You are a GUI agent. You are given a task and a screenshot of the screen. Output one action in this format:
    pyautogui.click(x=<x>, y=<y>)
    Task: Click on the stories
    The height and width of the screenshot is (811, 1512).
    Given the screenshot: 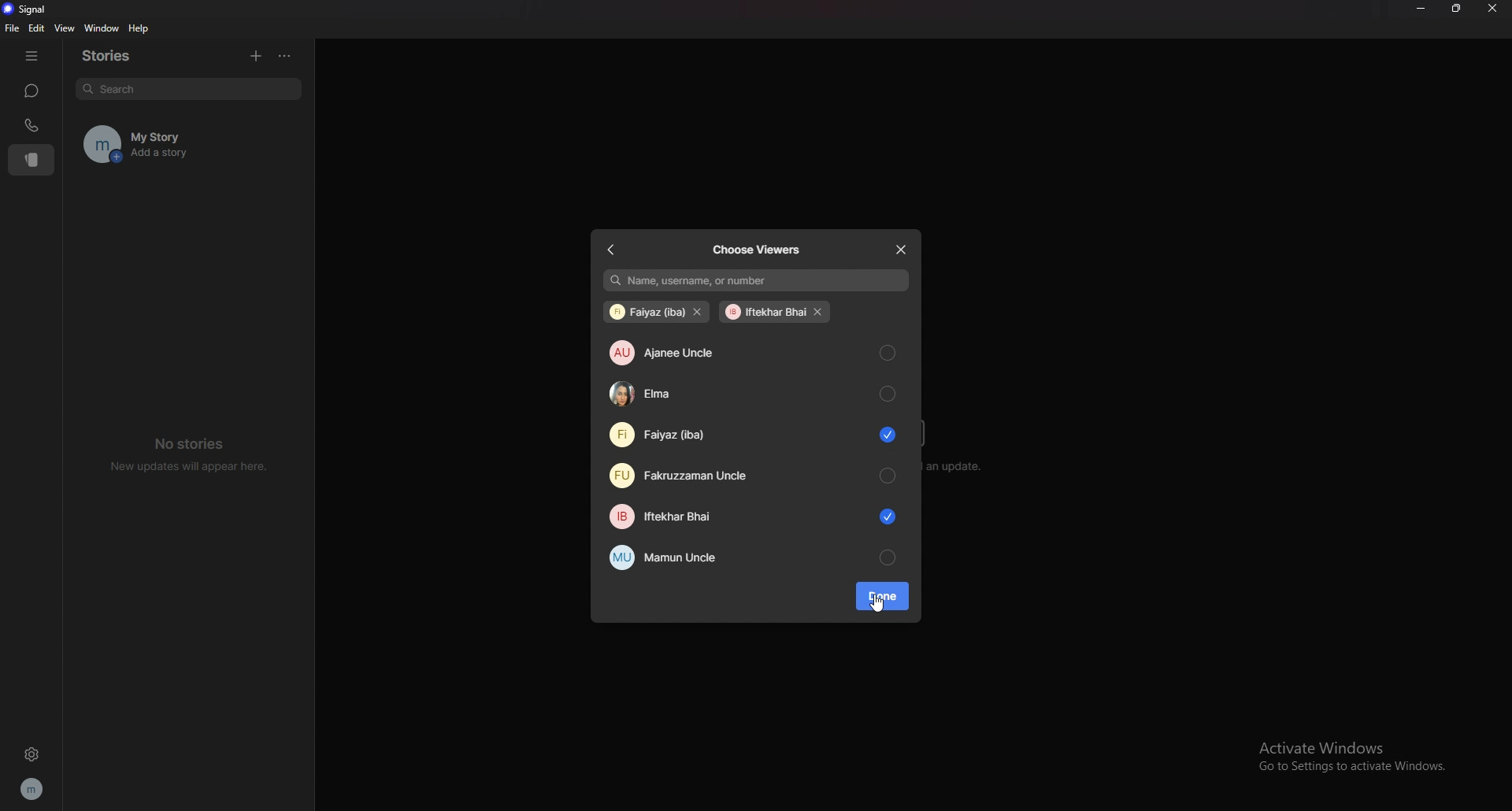 What is the action you would take?
    pyautogui.click(x=31, y=161)
    